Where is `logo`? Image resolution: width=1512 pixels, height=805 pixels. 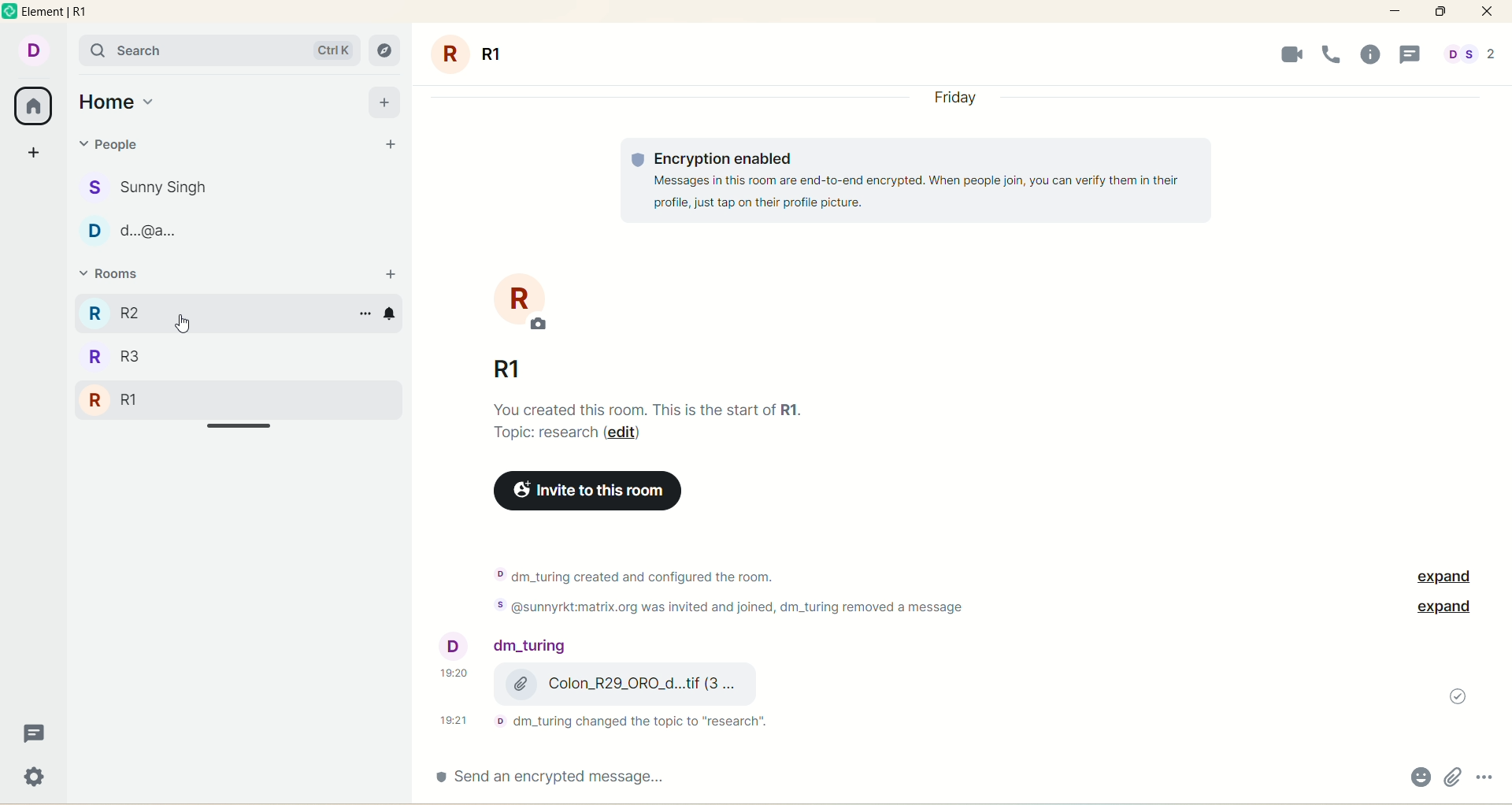 logo is located at coordinates (11, 14).